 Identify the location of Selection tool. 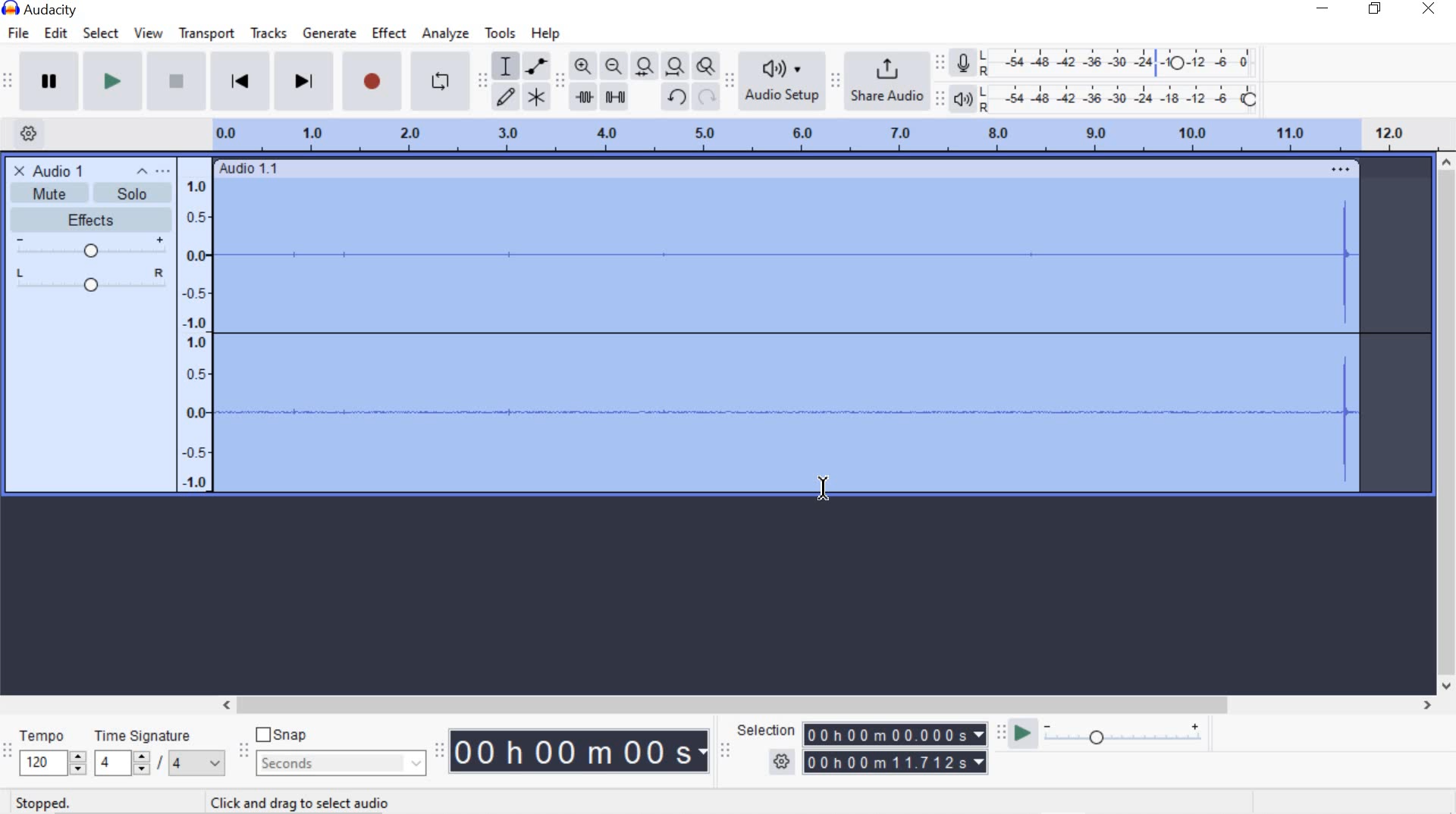
(506, 64).